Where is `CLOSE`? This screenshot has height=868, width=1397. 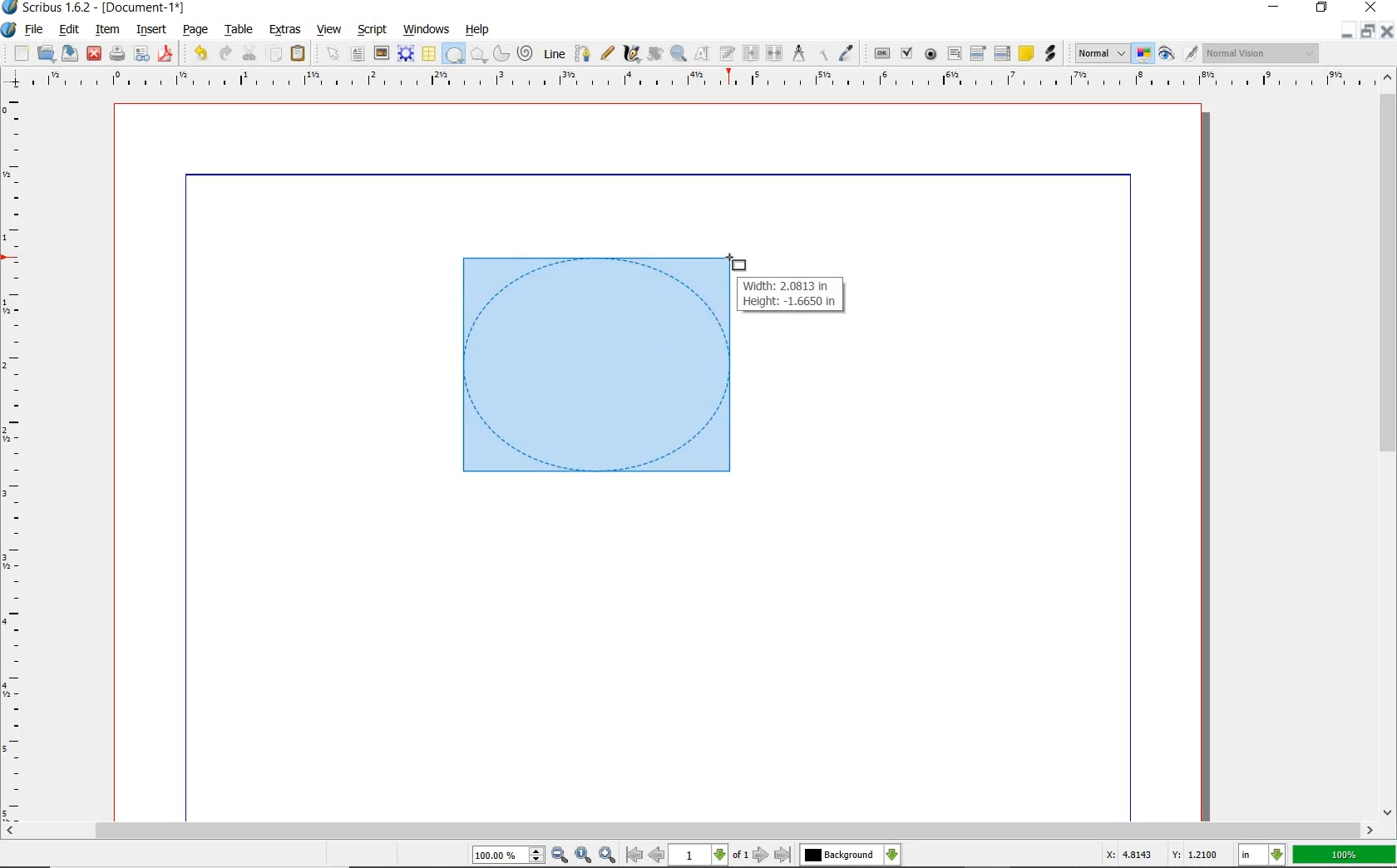
CLOSE is located at coordinates (1369, 7).